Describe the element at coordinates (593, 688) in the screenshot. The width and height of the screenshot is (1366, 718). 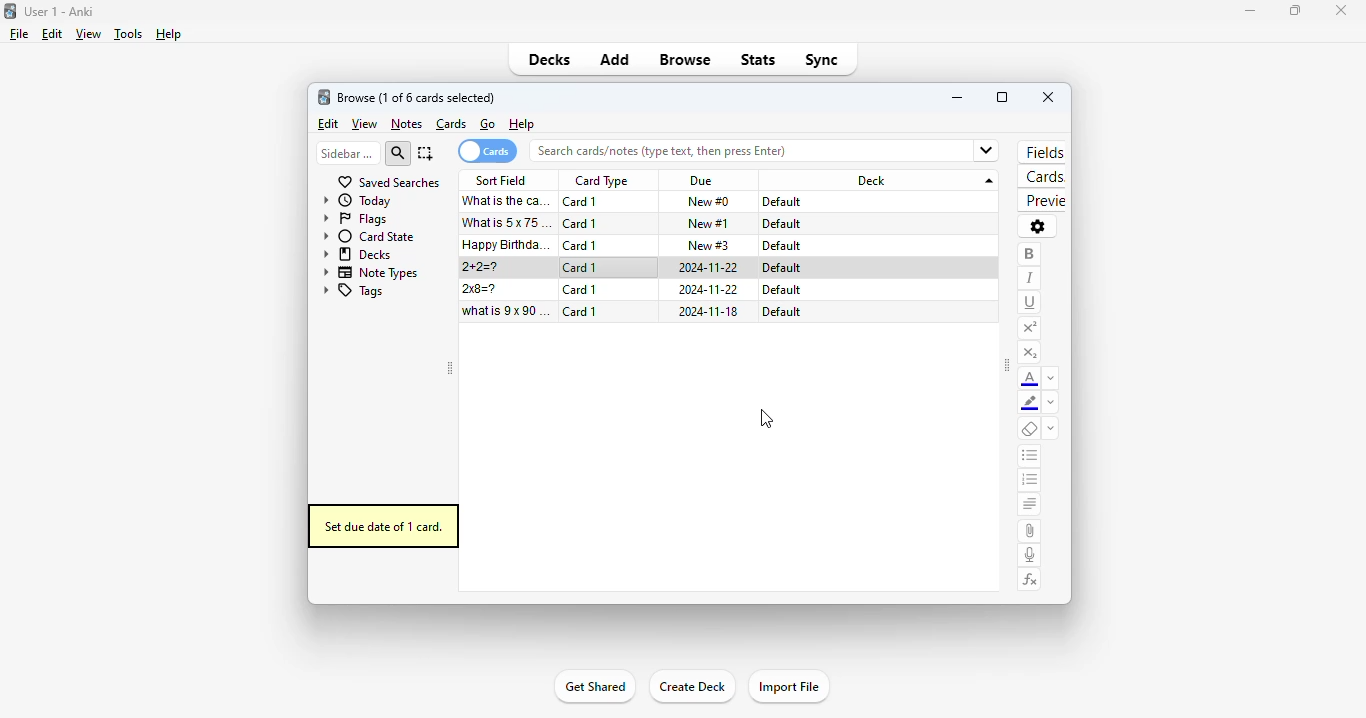
I see `get shared` at that location.